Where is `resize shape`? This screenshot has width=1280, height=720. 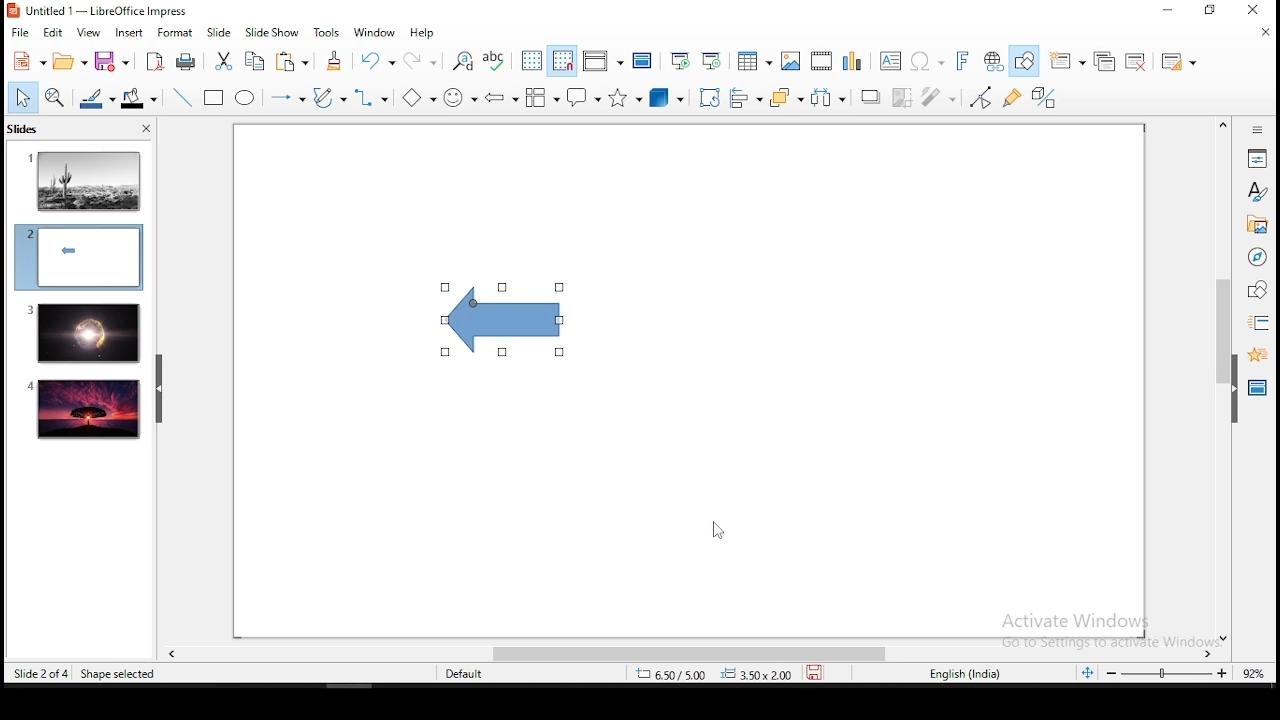
resize shape is located at coordinates (117, 673).